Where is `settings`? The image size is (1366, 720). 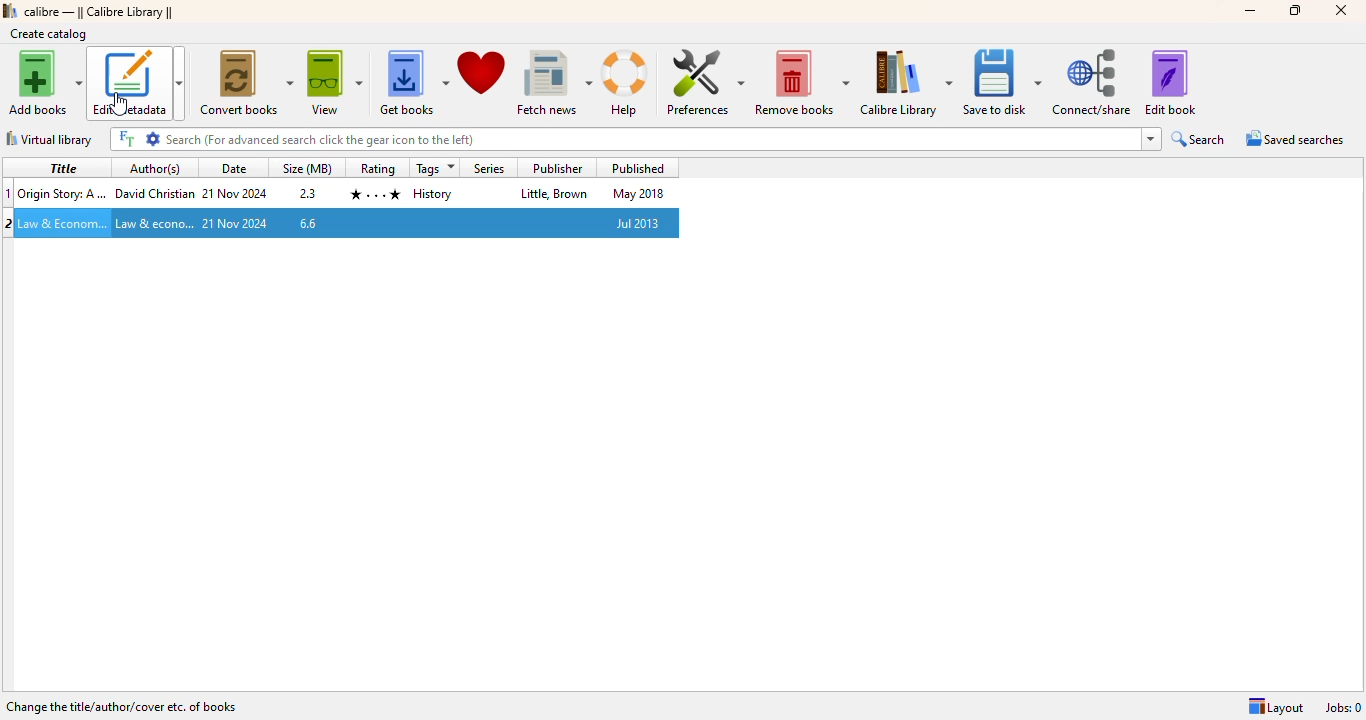 settings is located at coordinates (153, 139).